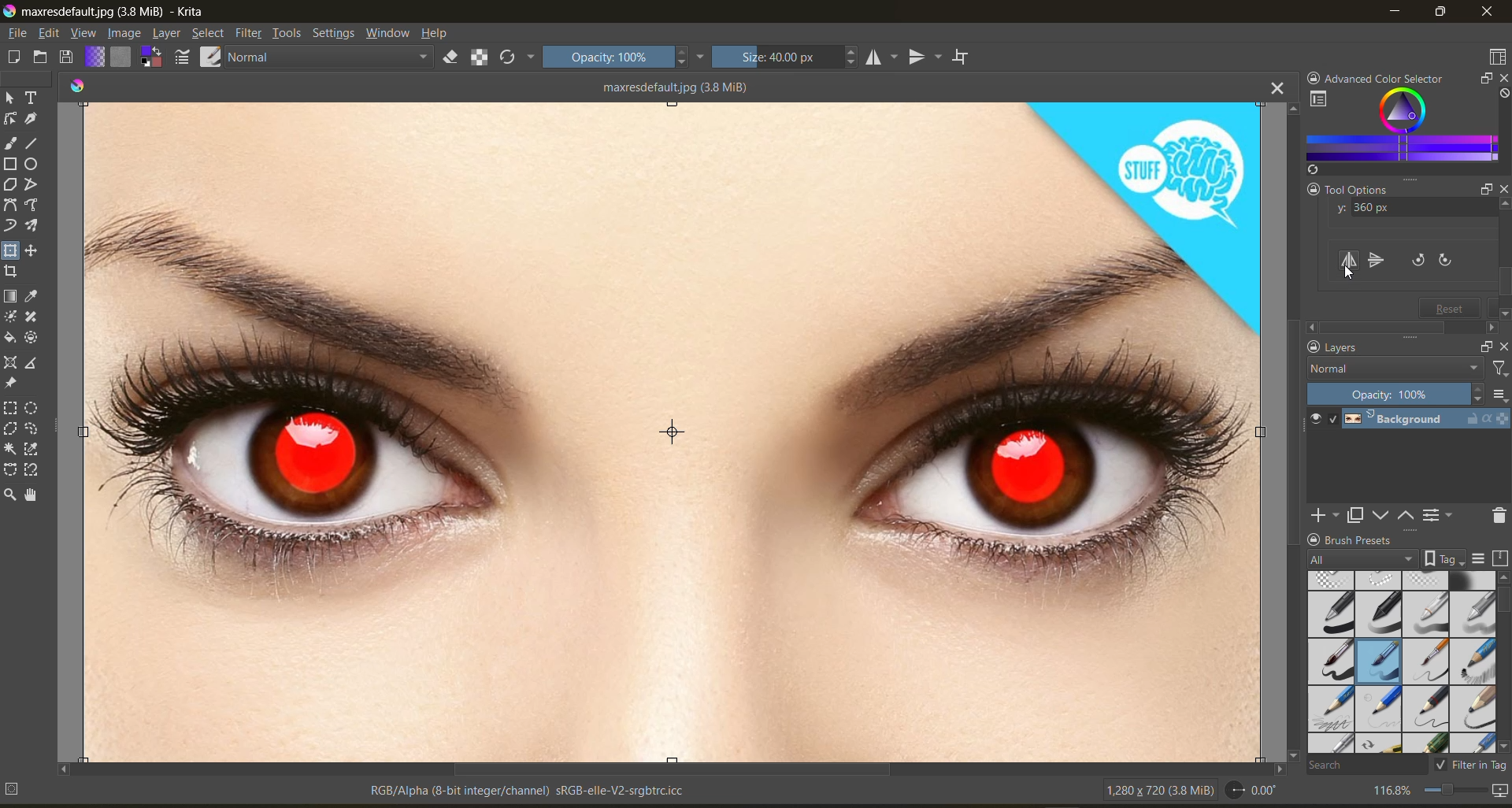 The image size is (1512, 808). I want to click on brush presets, so click(1401, 660).